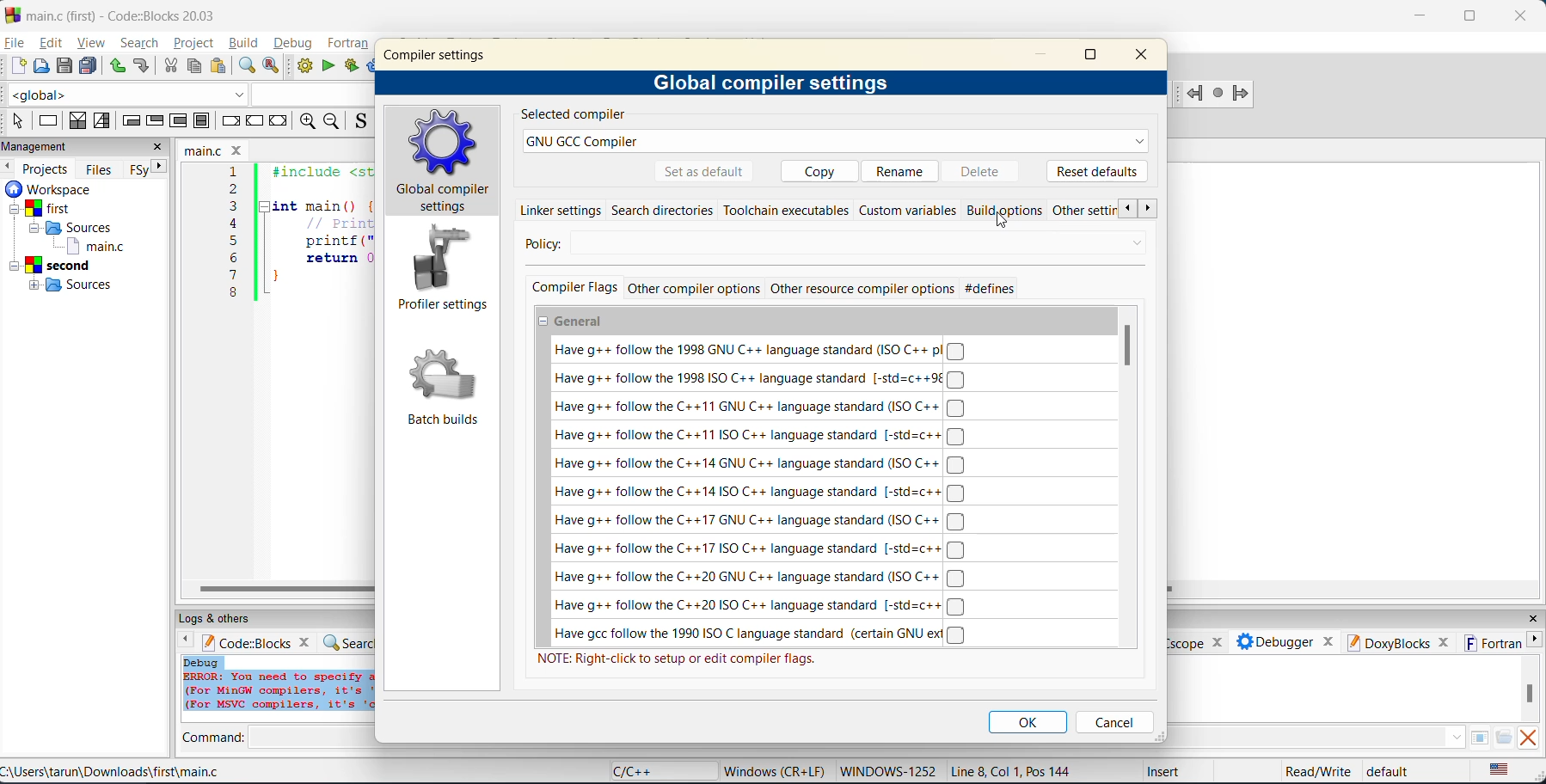 This screenshot has height=784, width=1546. What do you see at coordinates (106, 122) in the screenshot?
I see `selection` at bounding box center [106, 122].